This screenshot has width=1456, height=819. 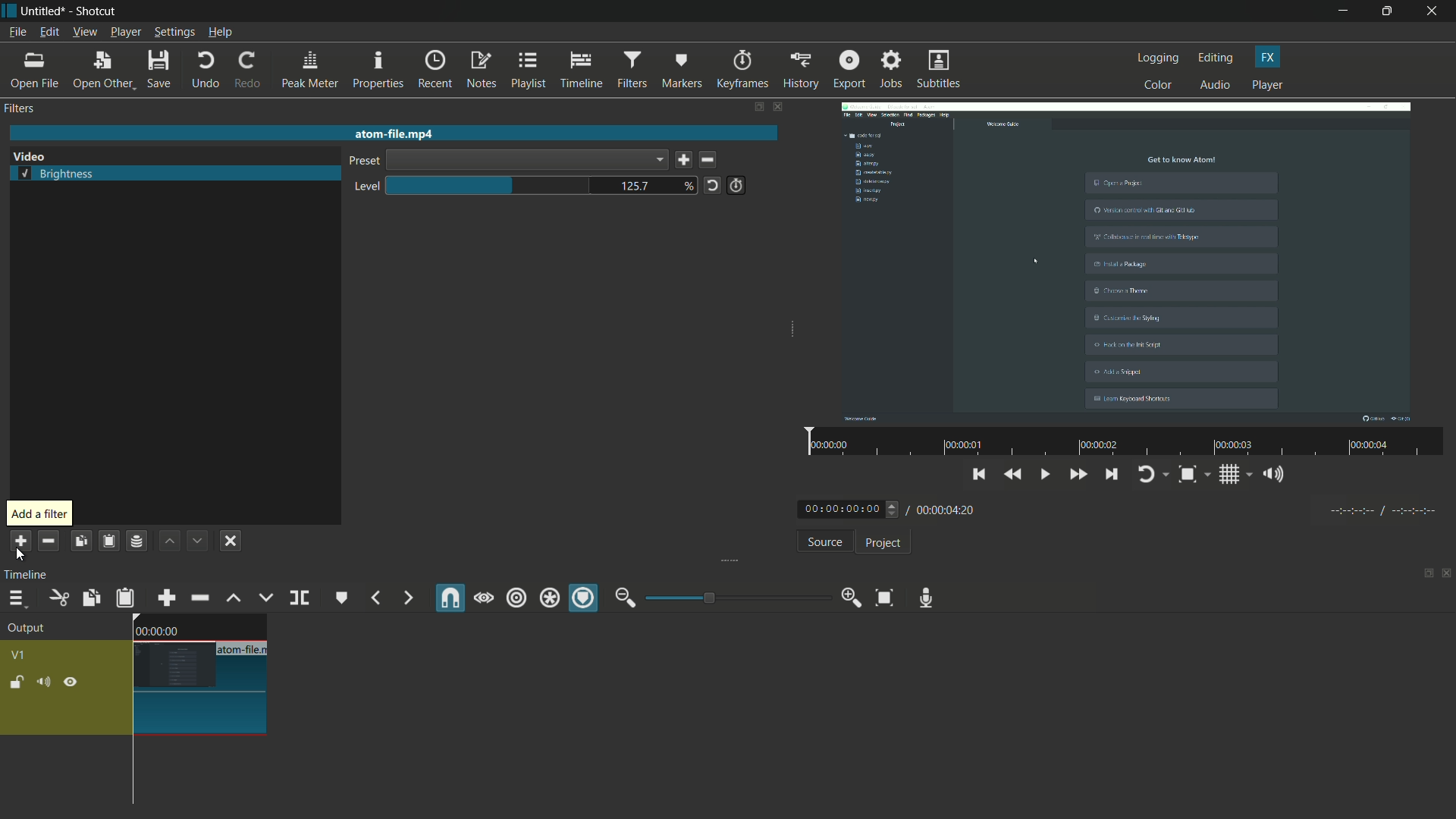 I want to click on move filter up, so click(x=169, y=541).